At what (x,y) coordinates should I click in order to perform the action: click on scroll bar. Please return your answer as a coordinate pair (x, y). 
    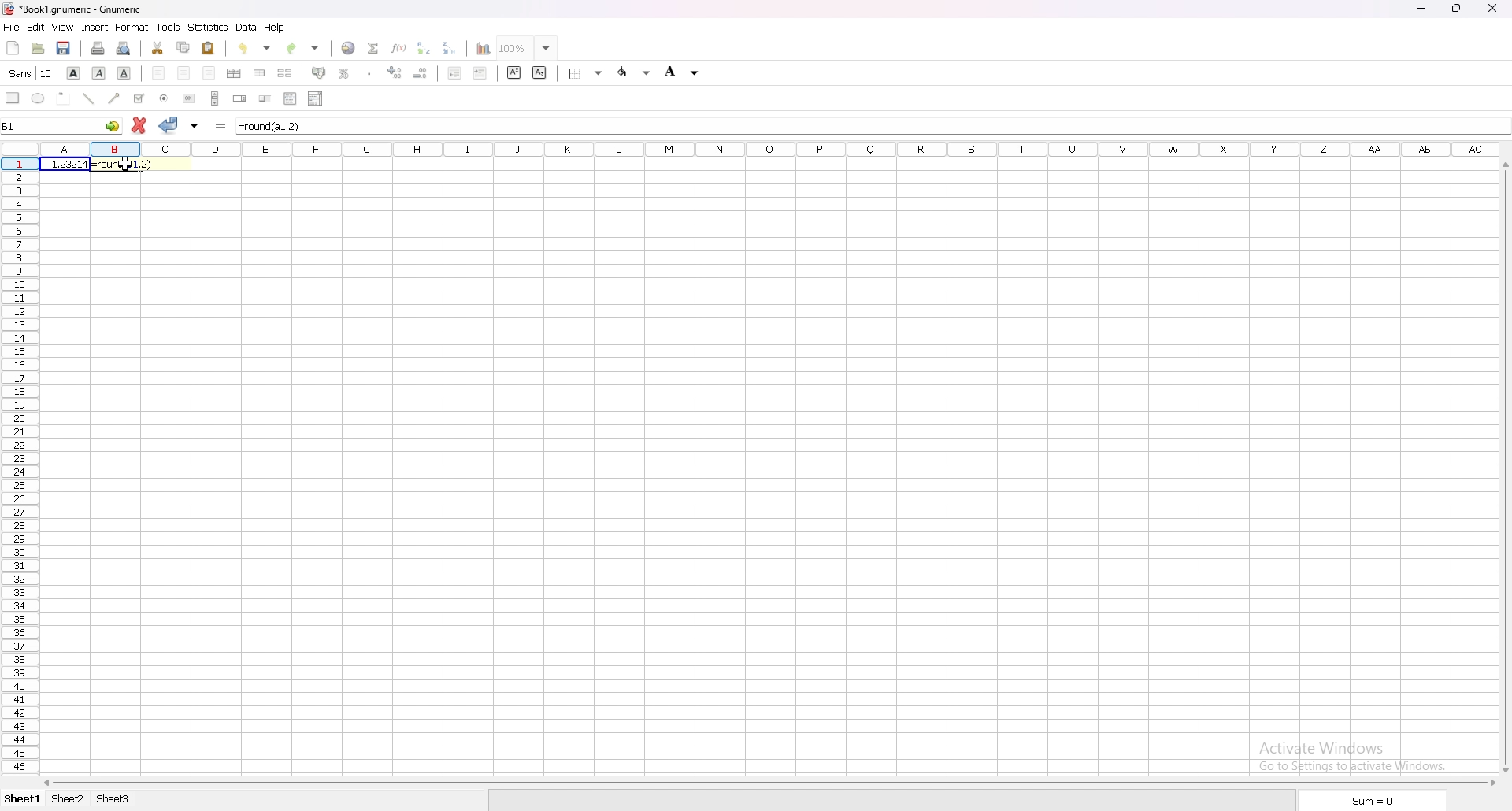
    Looking at the image, I should click on (769, 783).